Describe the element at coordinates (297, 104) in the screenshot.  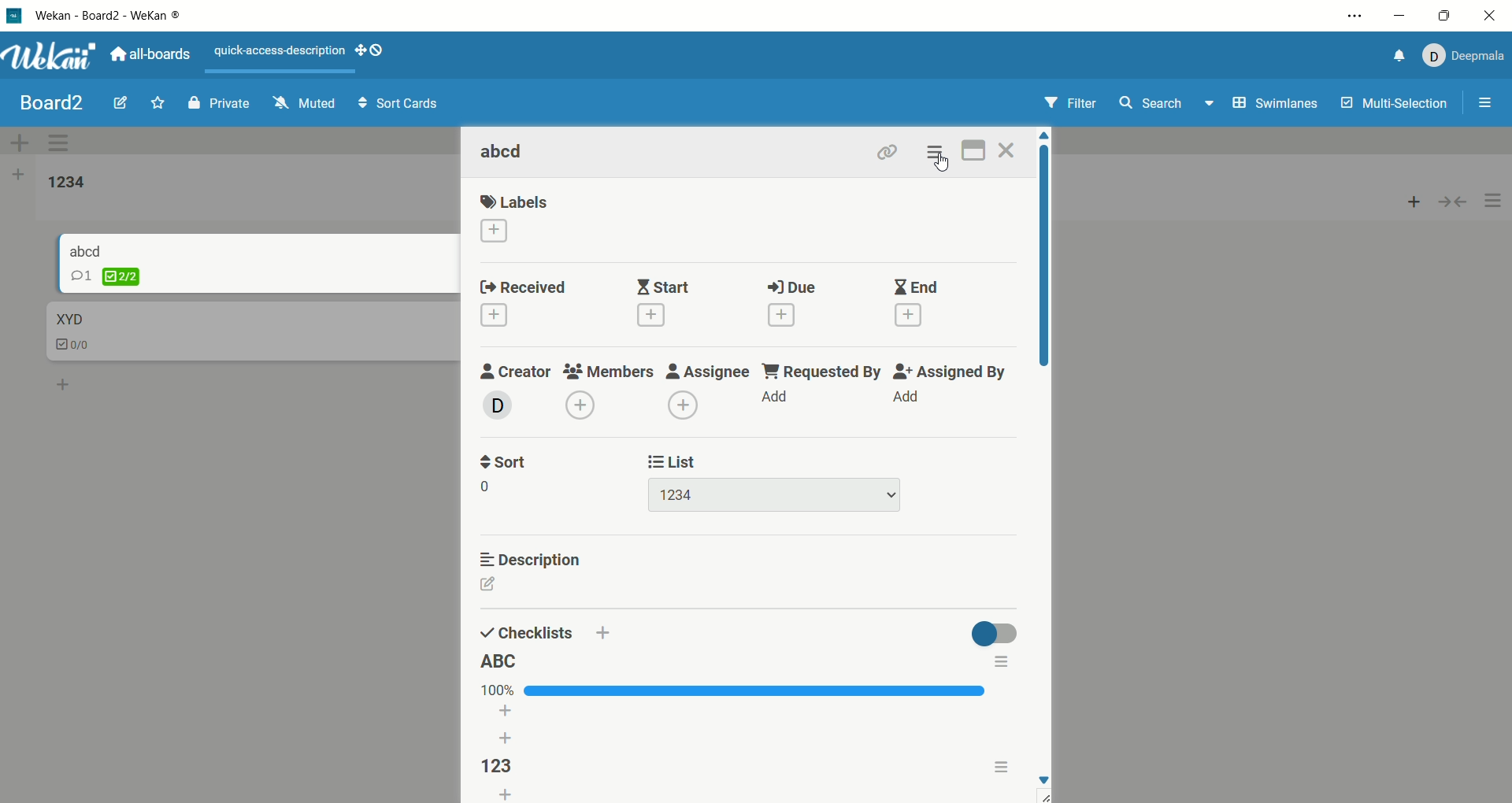
I see `muted` at that location.